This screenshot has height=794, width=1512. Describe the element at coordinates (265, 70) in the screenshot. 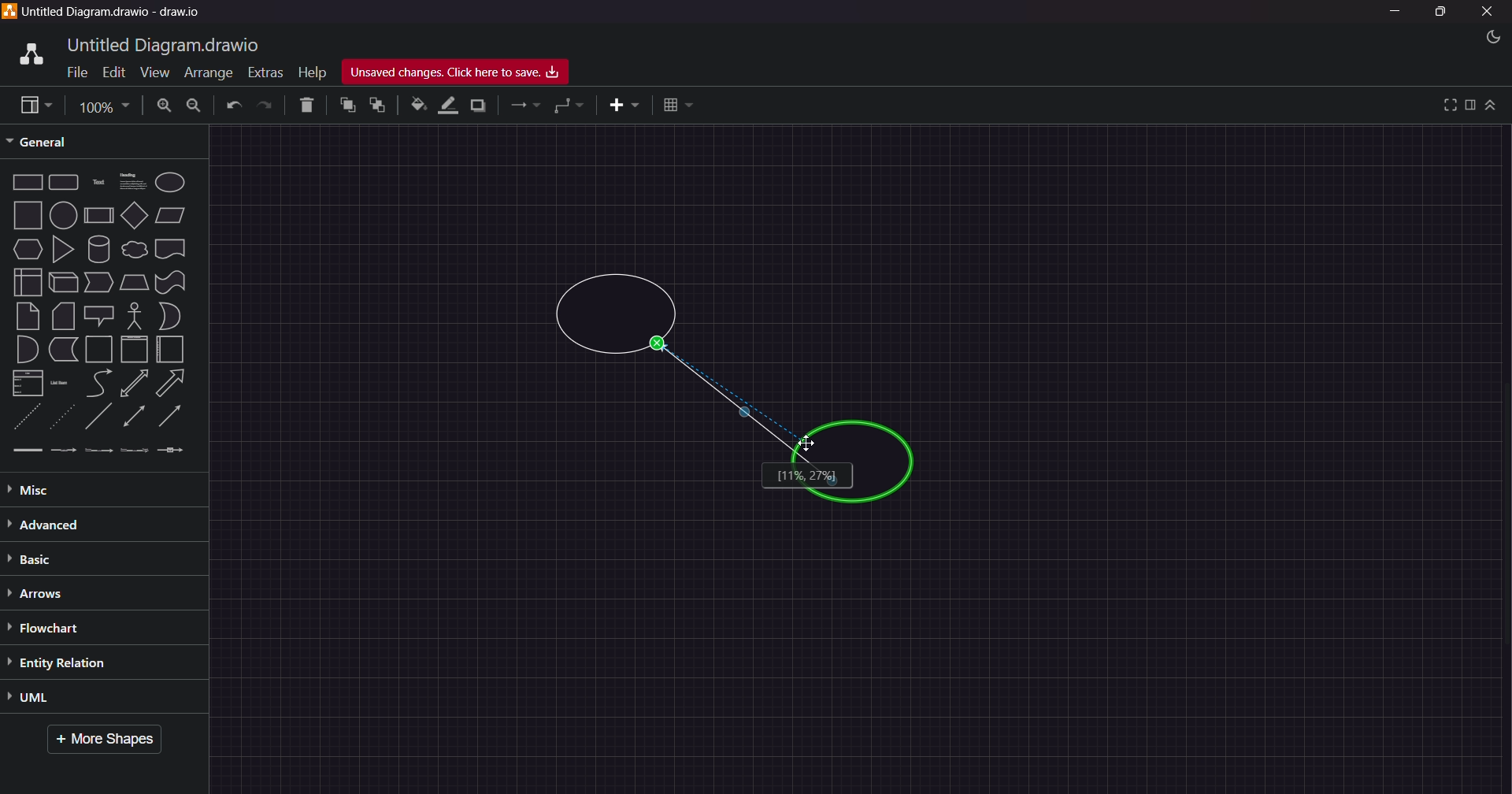

I see `Extras` at that location.